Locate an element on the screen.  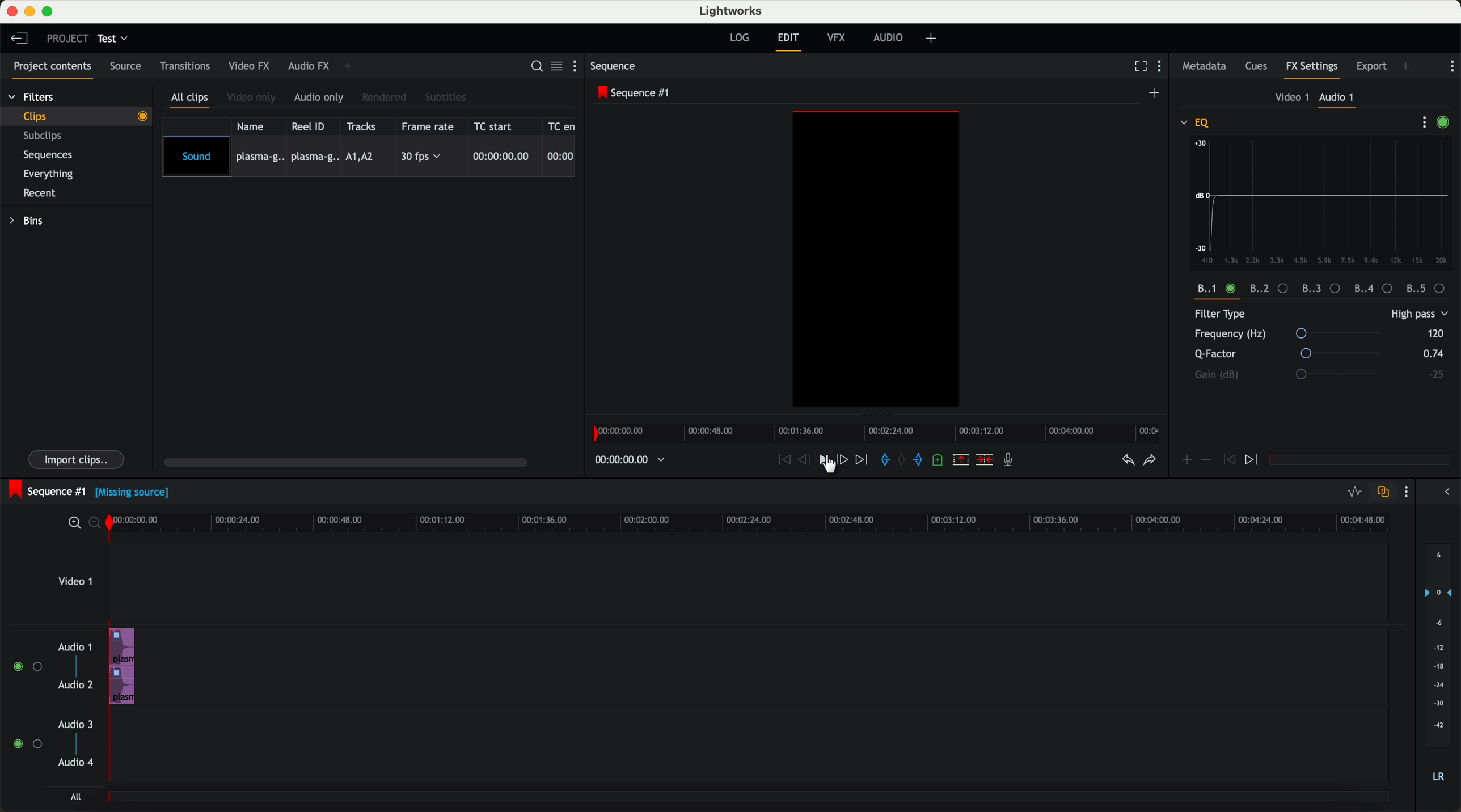
video 1 is located at coordinates (1289, 98).